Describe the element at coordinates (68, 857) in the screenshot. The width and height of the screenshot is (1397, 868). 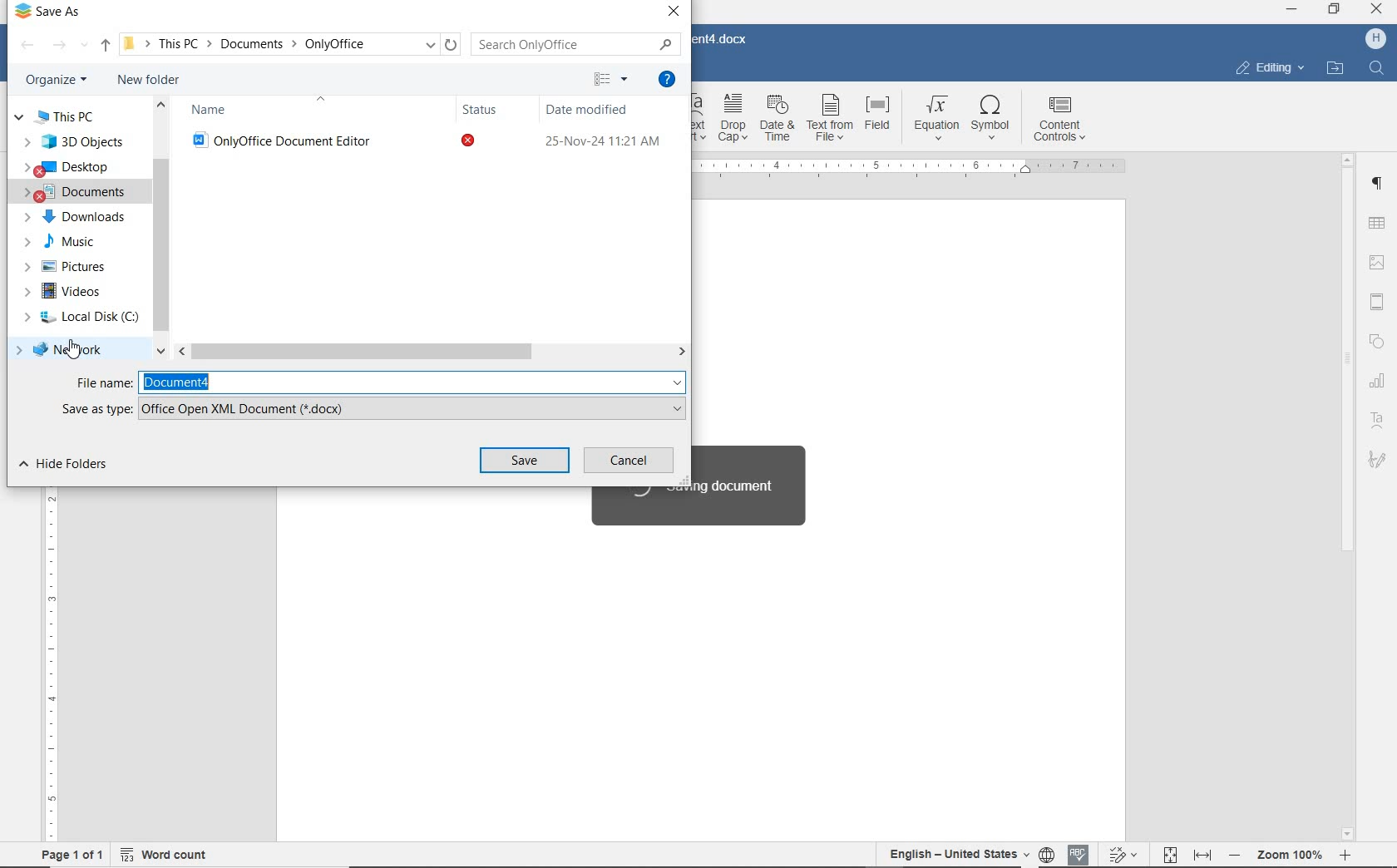
I see `page 1 of 1` at that location.